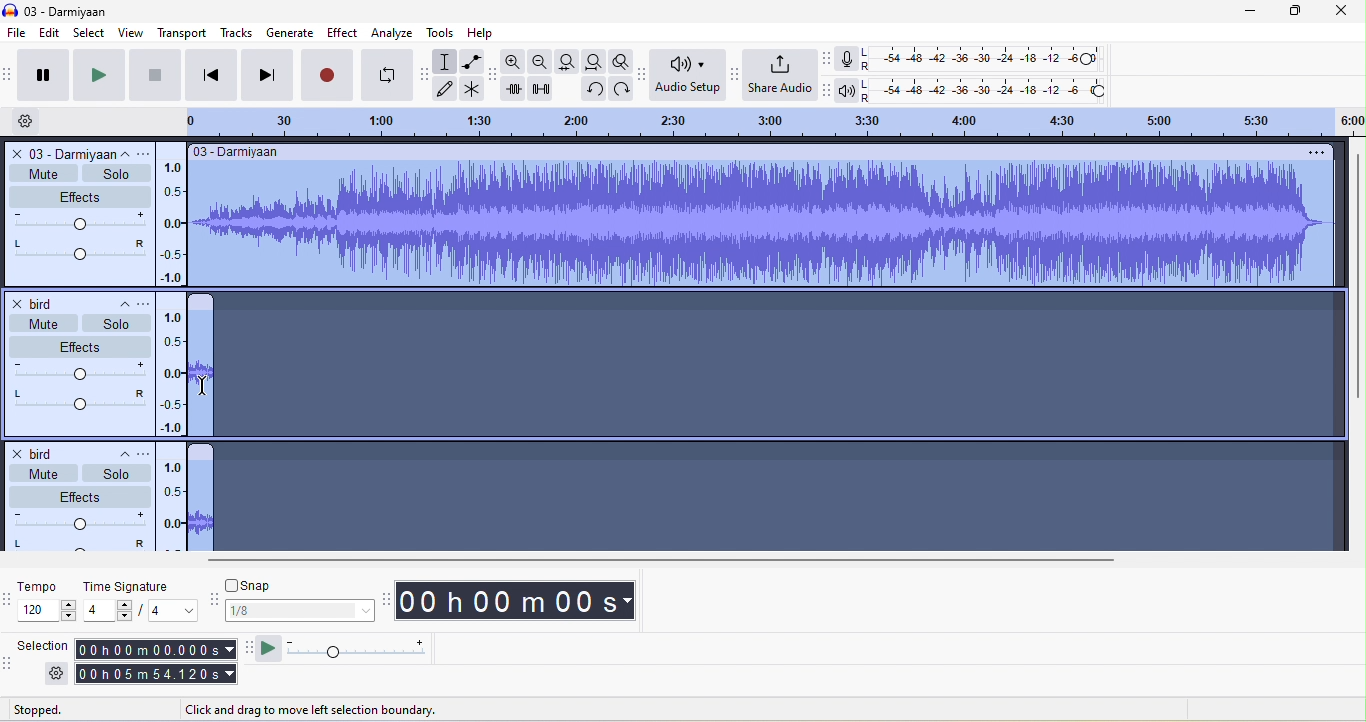  Describe the element at coordinates (44, 647) in the screenshot. I see `selection` at that location.